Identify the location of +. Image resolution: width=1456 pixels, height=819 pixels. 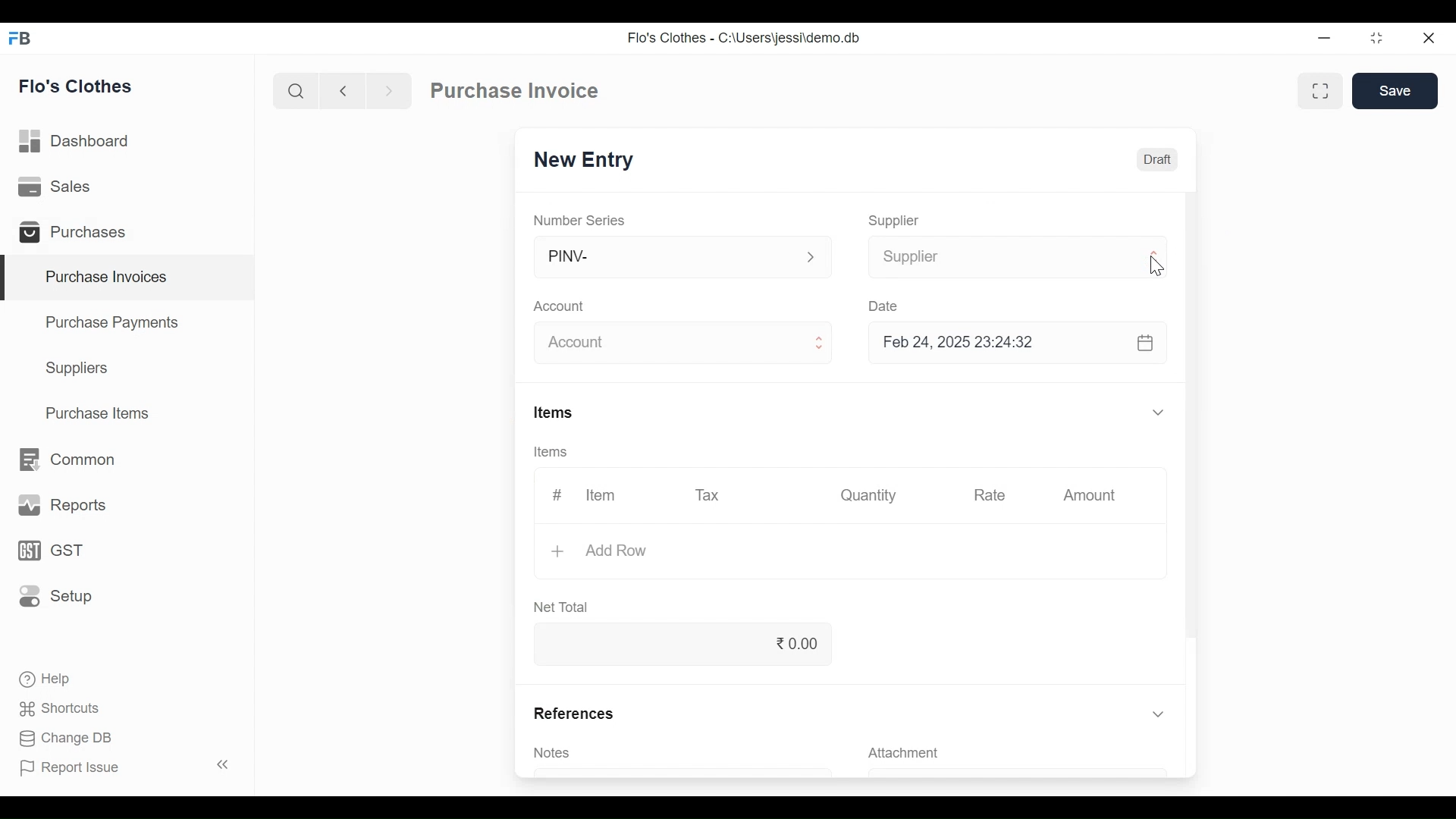
(560, 551).